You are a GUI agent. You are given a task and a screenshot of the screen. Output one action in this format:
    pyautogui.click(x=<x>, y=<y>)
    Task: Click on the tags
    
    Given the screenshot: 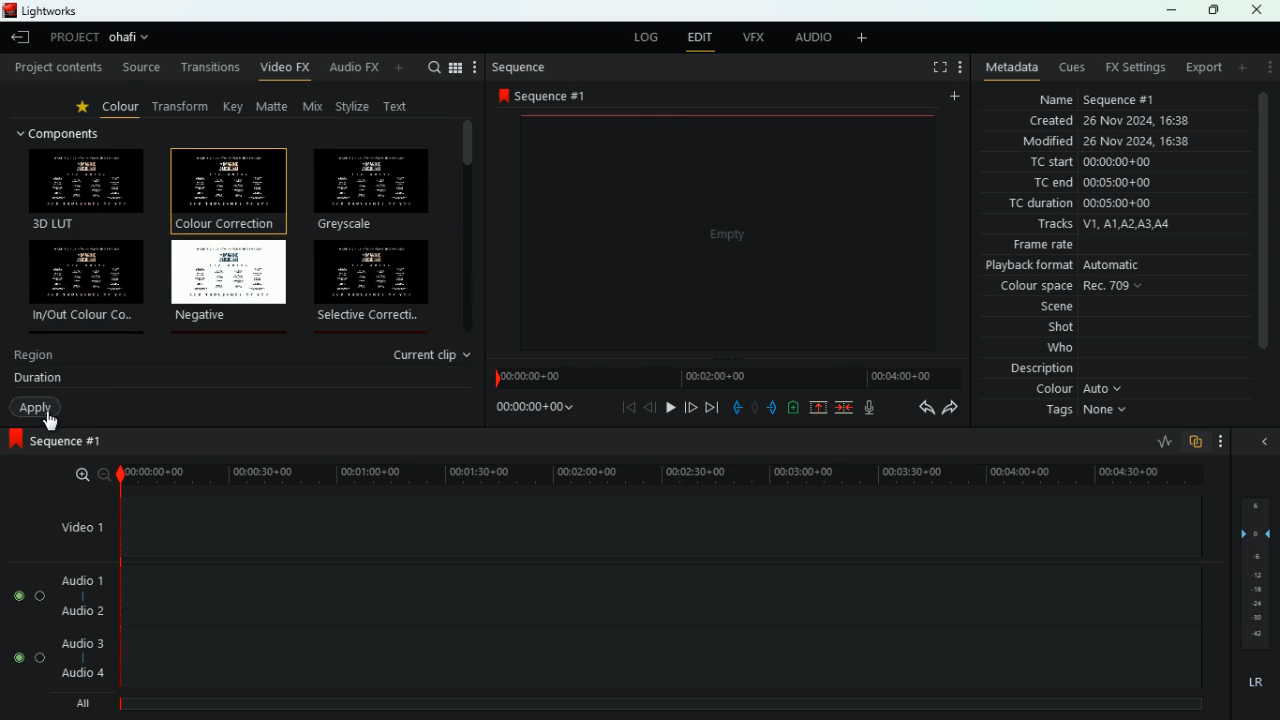 What is the action you would take?
    pyautogui.click(x=1090, y=415)
    